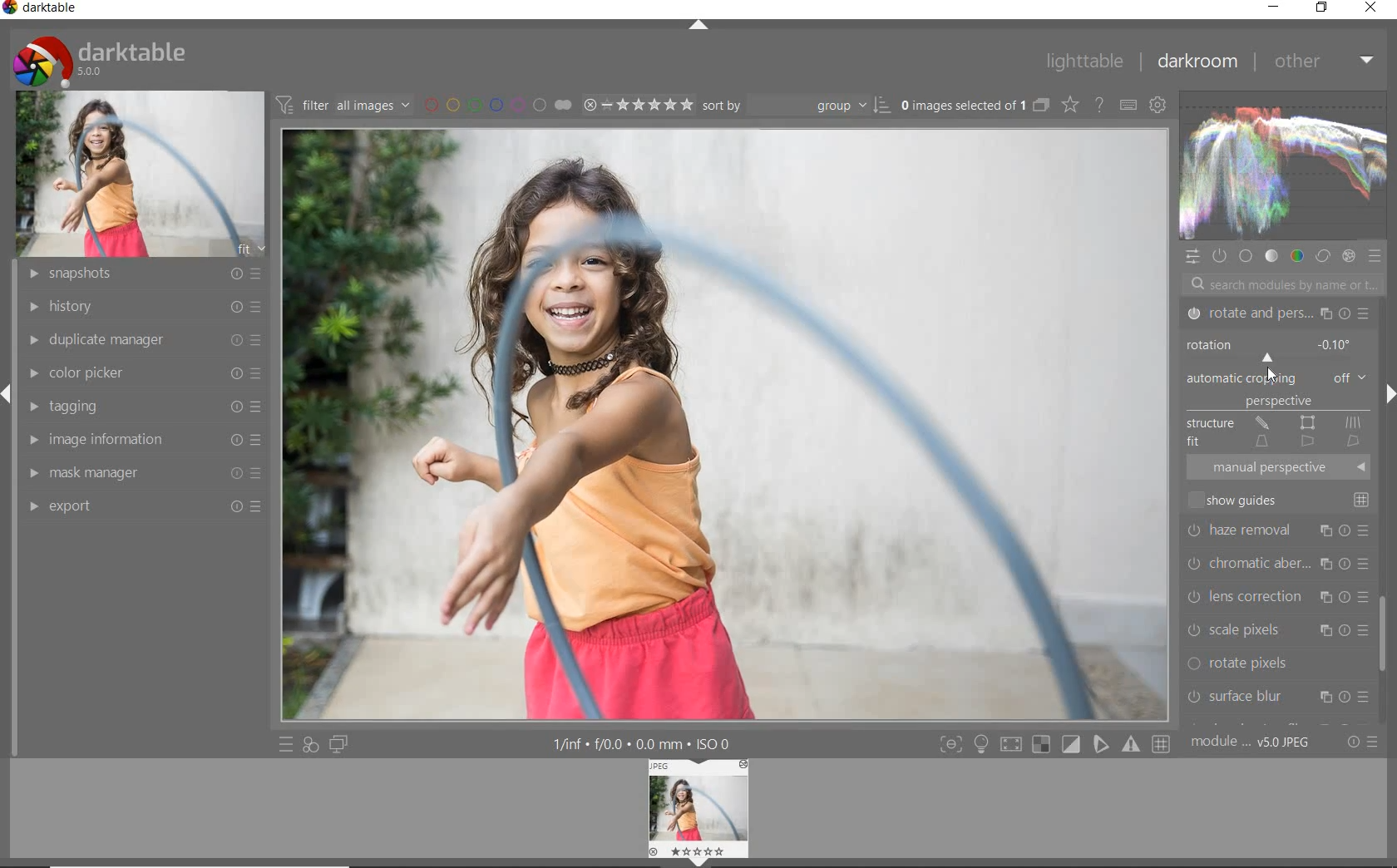  What do you see at coordinates (1277, 562) in the screenshot?
I see `chromatic aberration` at bounding box center [1277, 562].